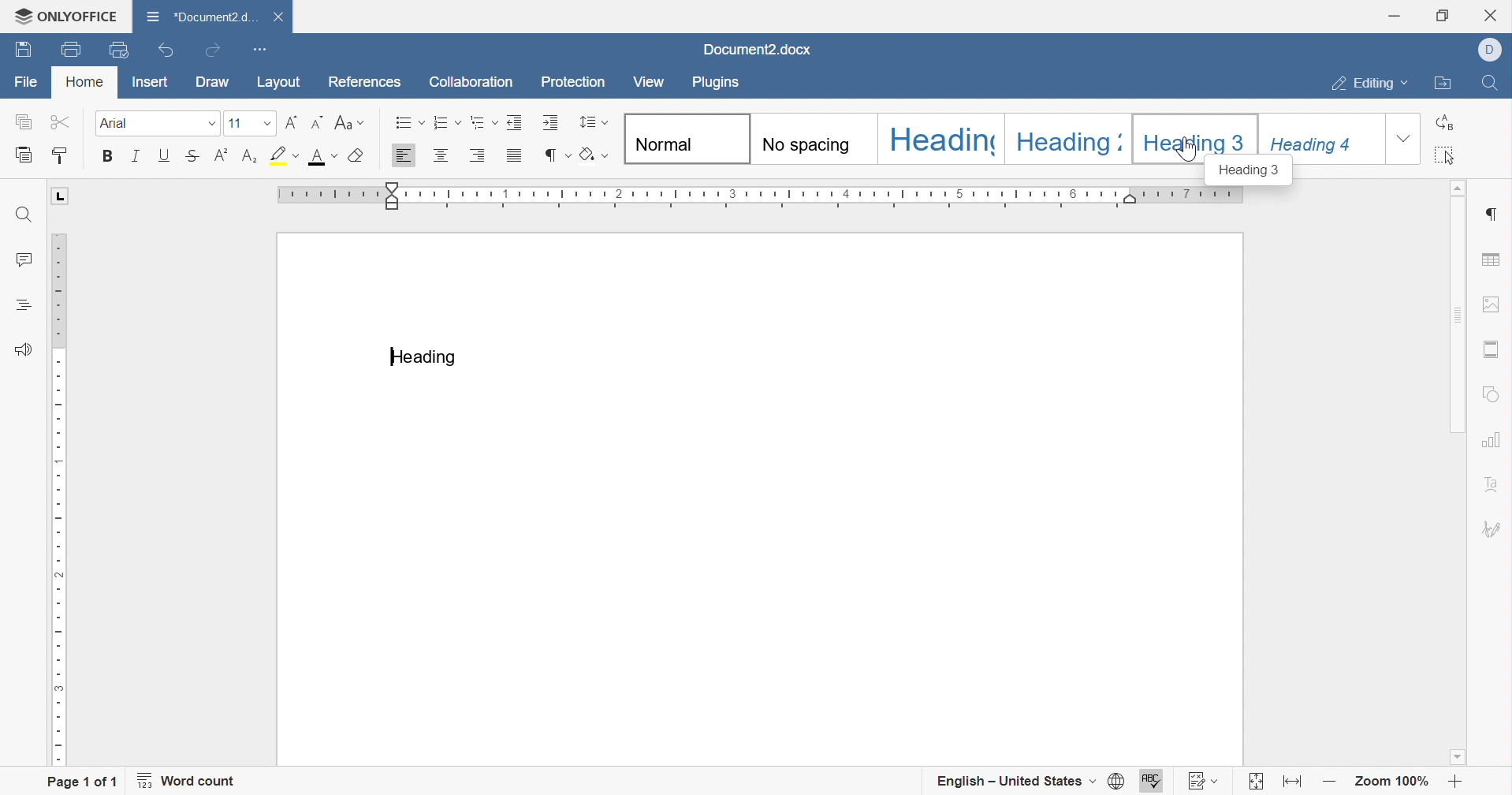 This screenshot has height=795, width=1512. Describe the element at coordinates (1452, 782) in the screenshot. I see `Zoom In` at that location.